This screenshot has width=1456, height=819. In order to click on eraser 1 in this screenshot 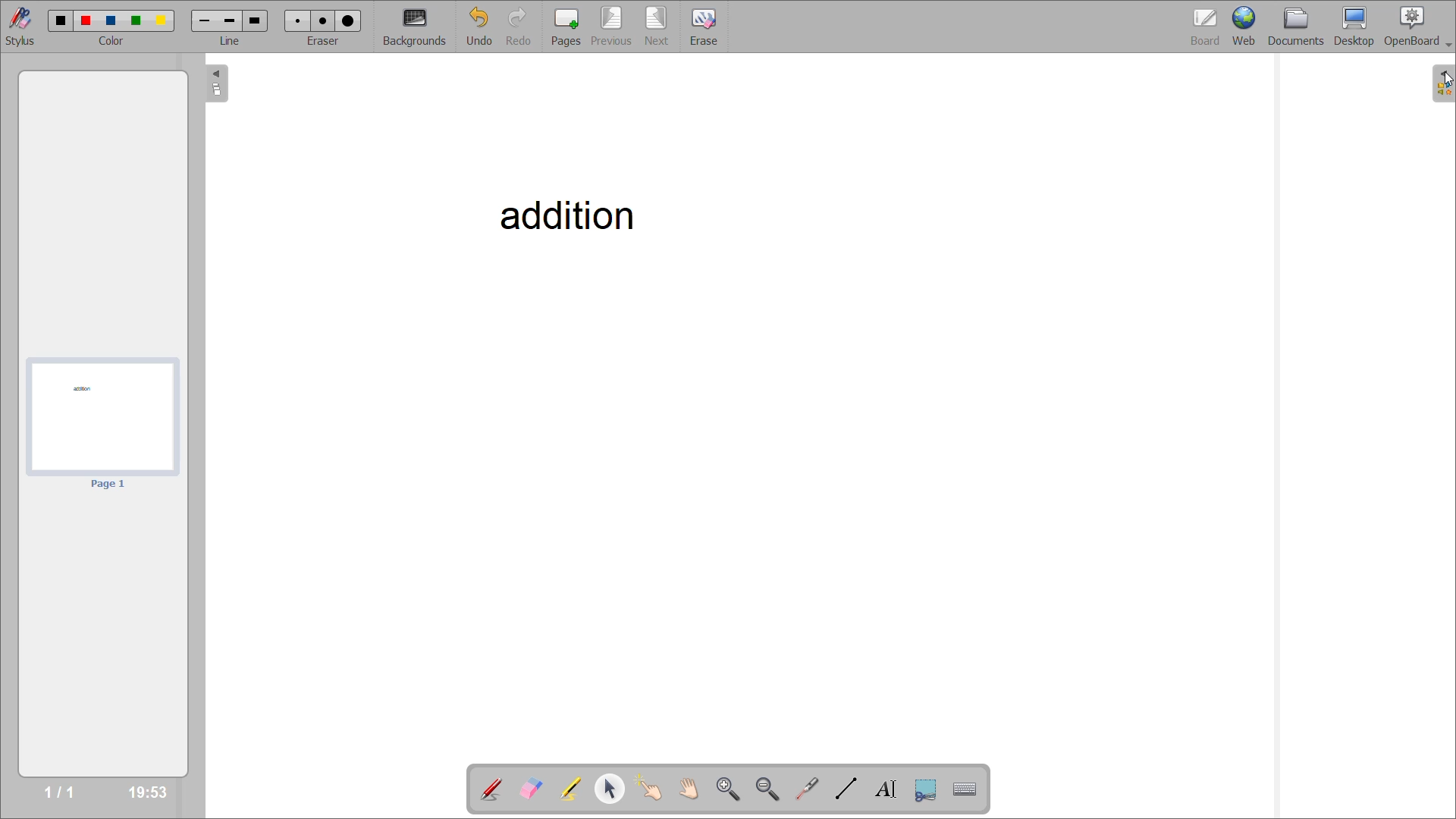, I will do `click(299, 20)`.